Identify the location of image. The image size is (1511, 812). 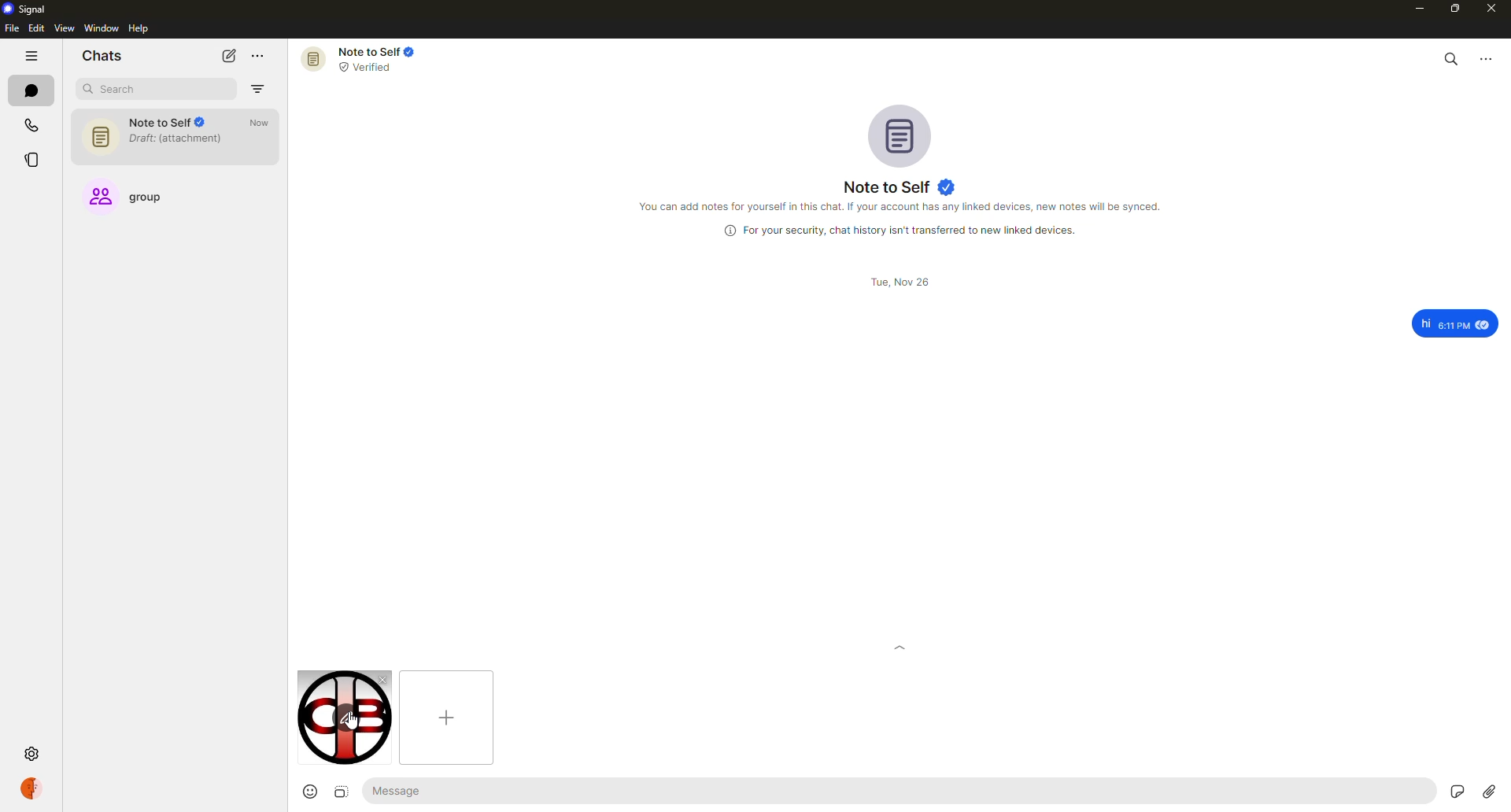
(342, 792).